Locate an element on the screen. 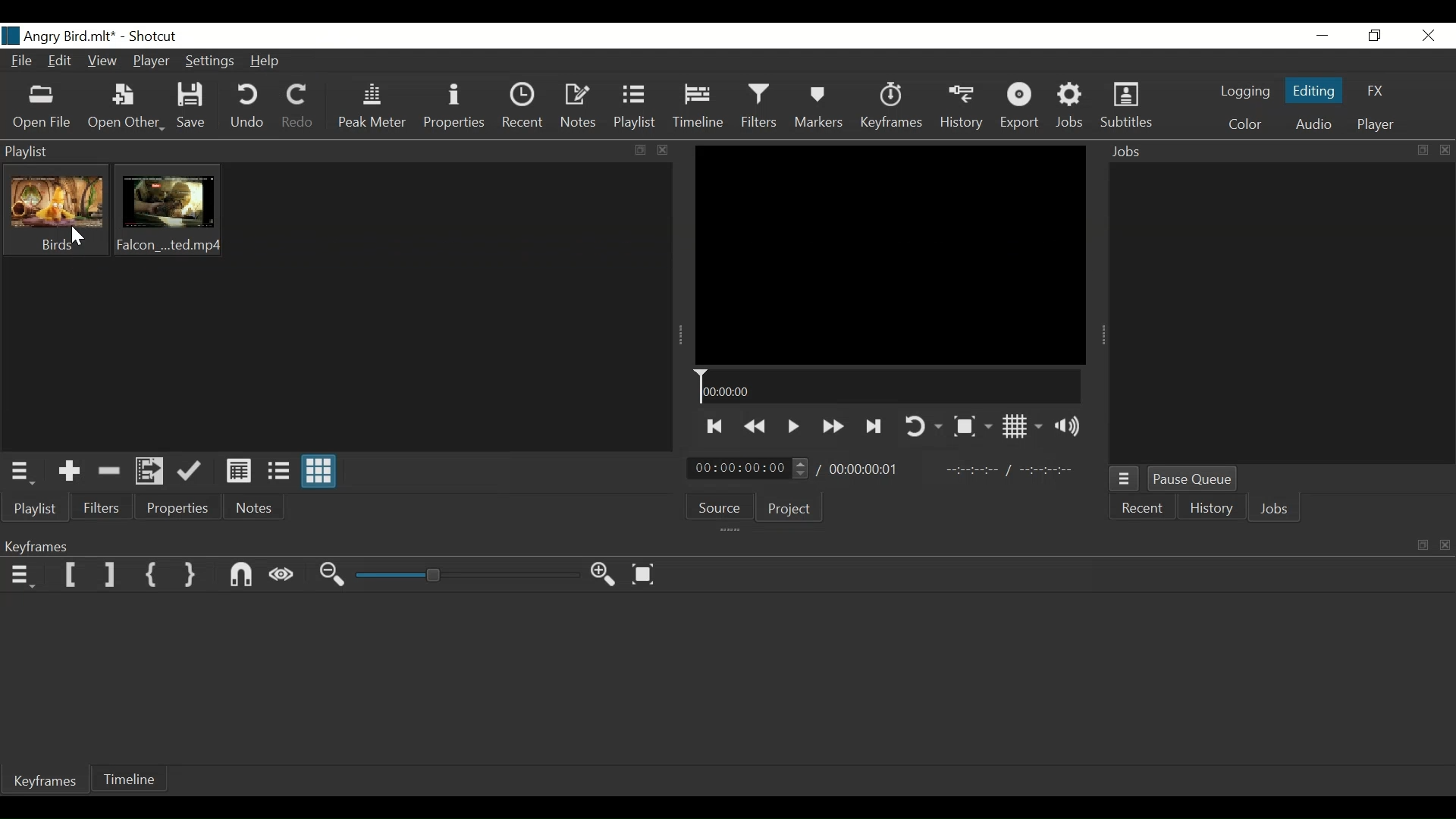  Player is located at coordinates (152, 61).